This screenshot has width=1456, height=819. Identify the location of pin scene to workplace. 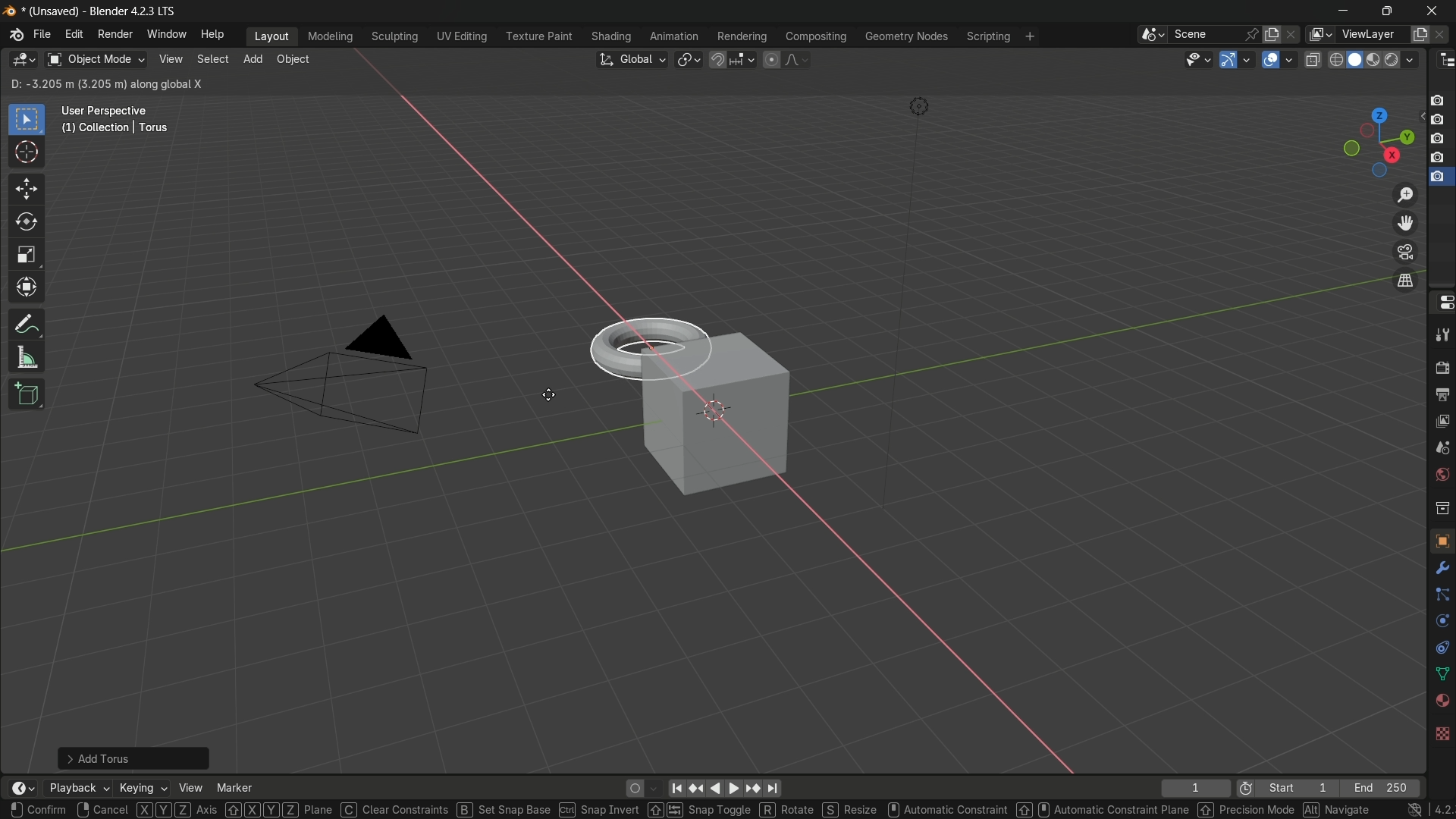
(1252, 34).